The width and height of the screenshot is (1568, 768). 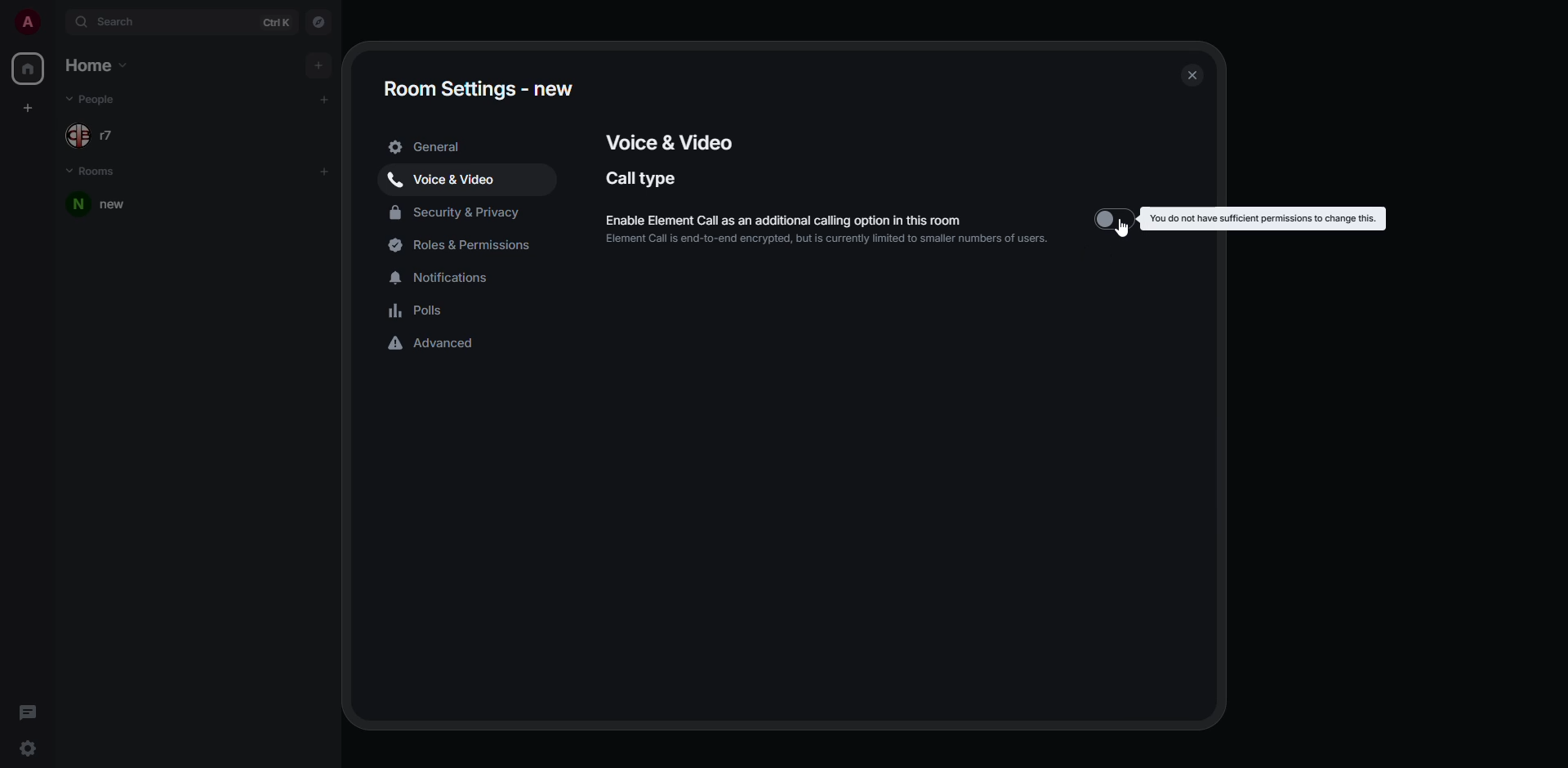 I want to click on polls, so click(x=418, y=310).